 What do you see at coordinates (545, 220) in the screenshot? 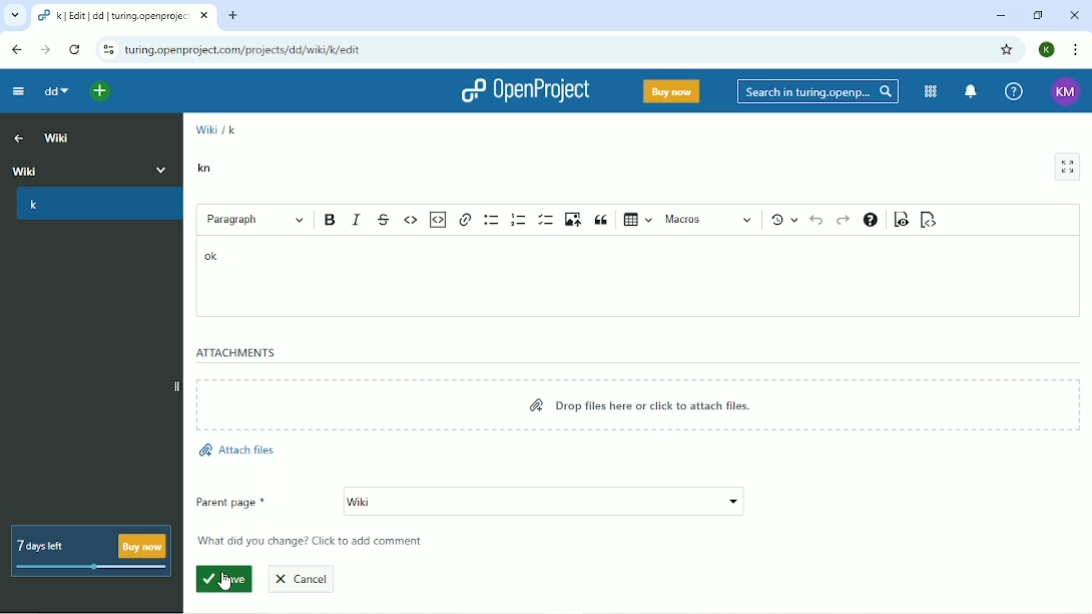
I see `To-do list` at bounding box center [545, 220].